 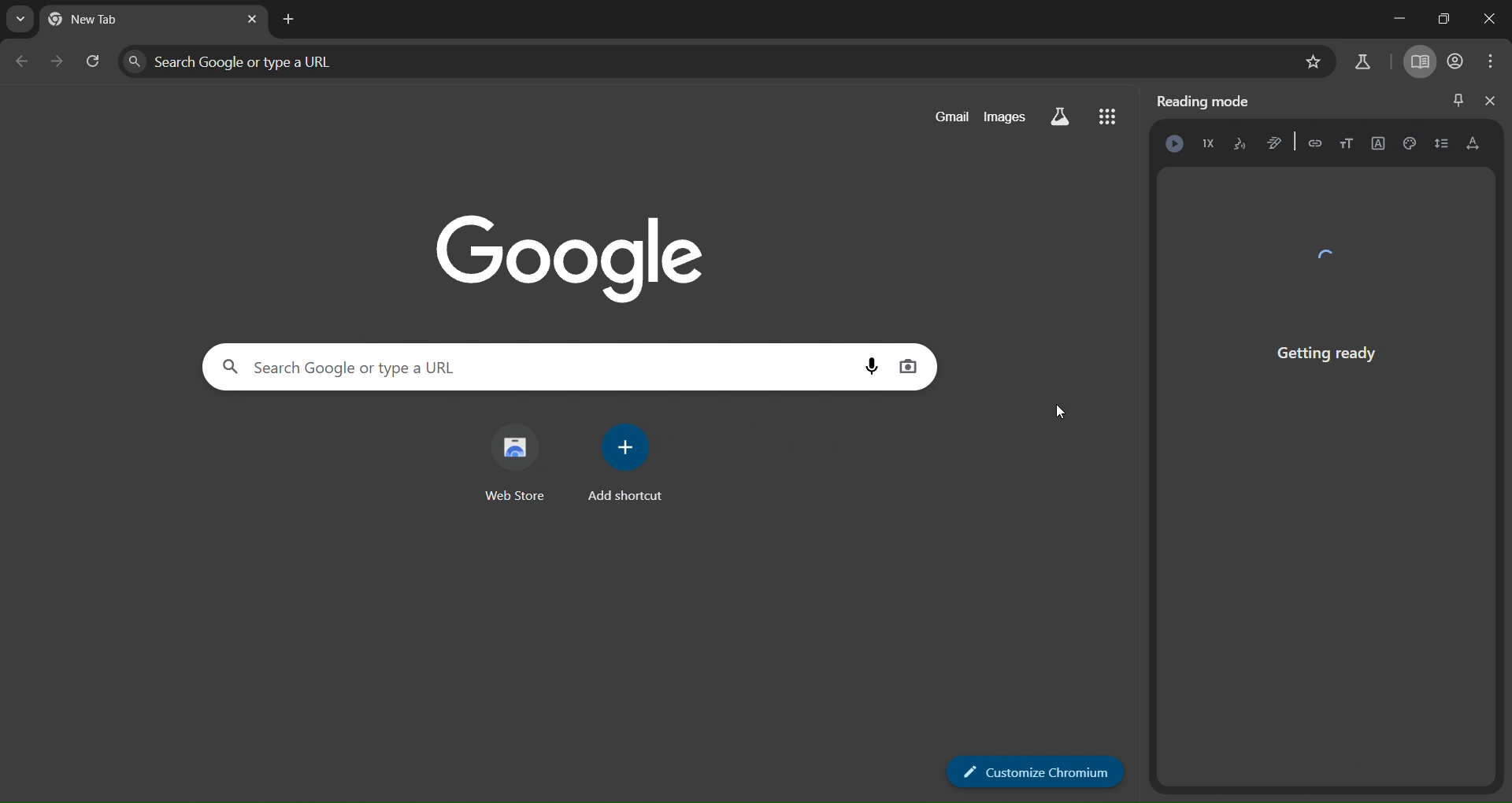 I want to click on font, so click(x=1376, y=144).